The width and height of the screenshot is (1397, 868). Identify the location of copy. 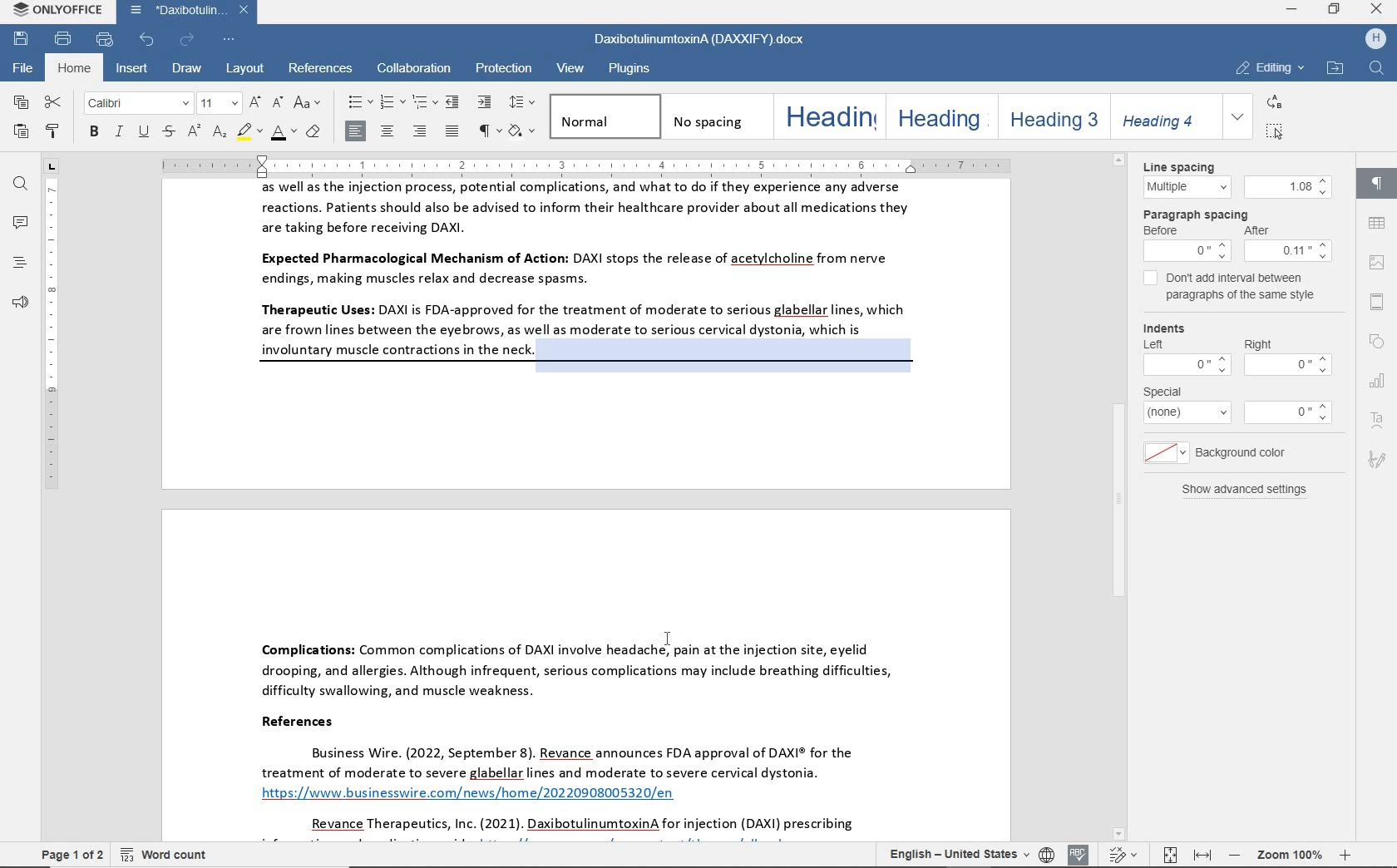
(22, 104).